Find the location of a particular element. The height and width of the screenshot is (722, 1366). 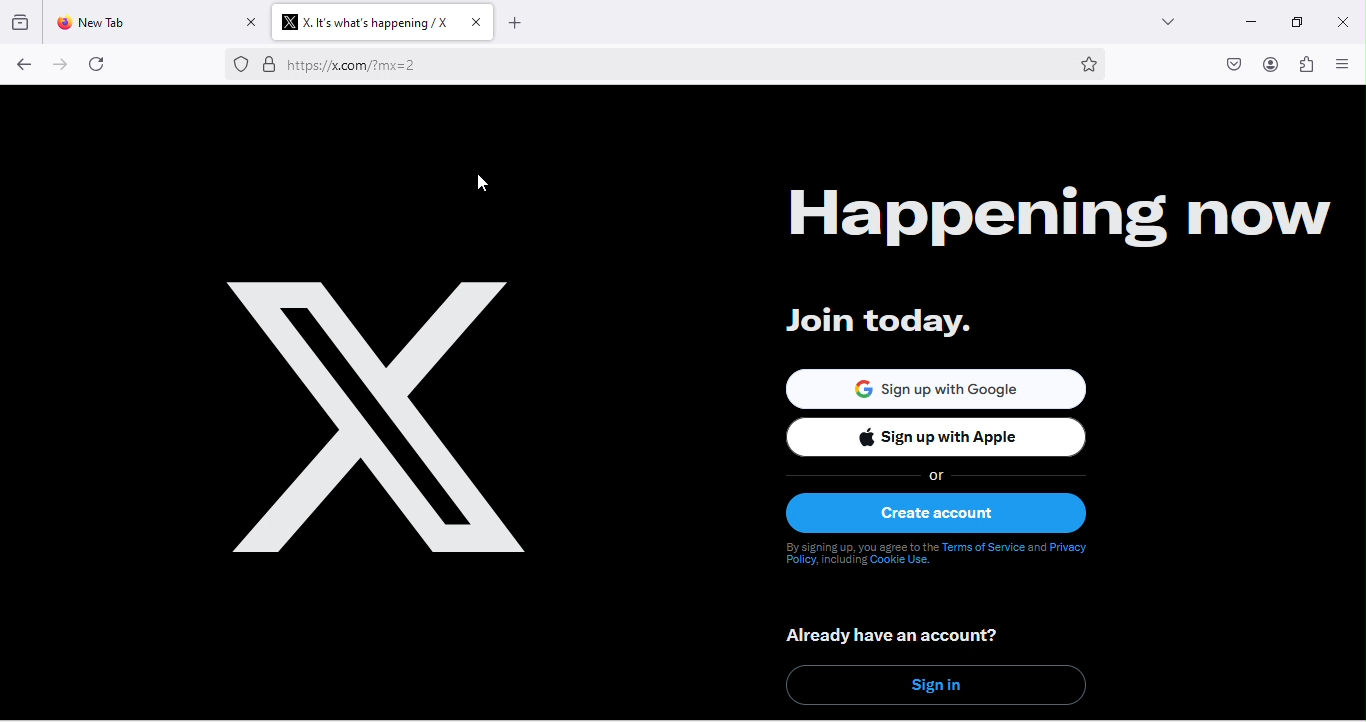

close is located at coordinates (1341, 22).